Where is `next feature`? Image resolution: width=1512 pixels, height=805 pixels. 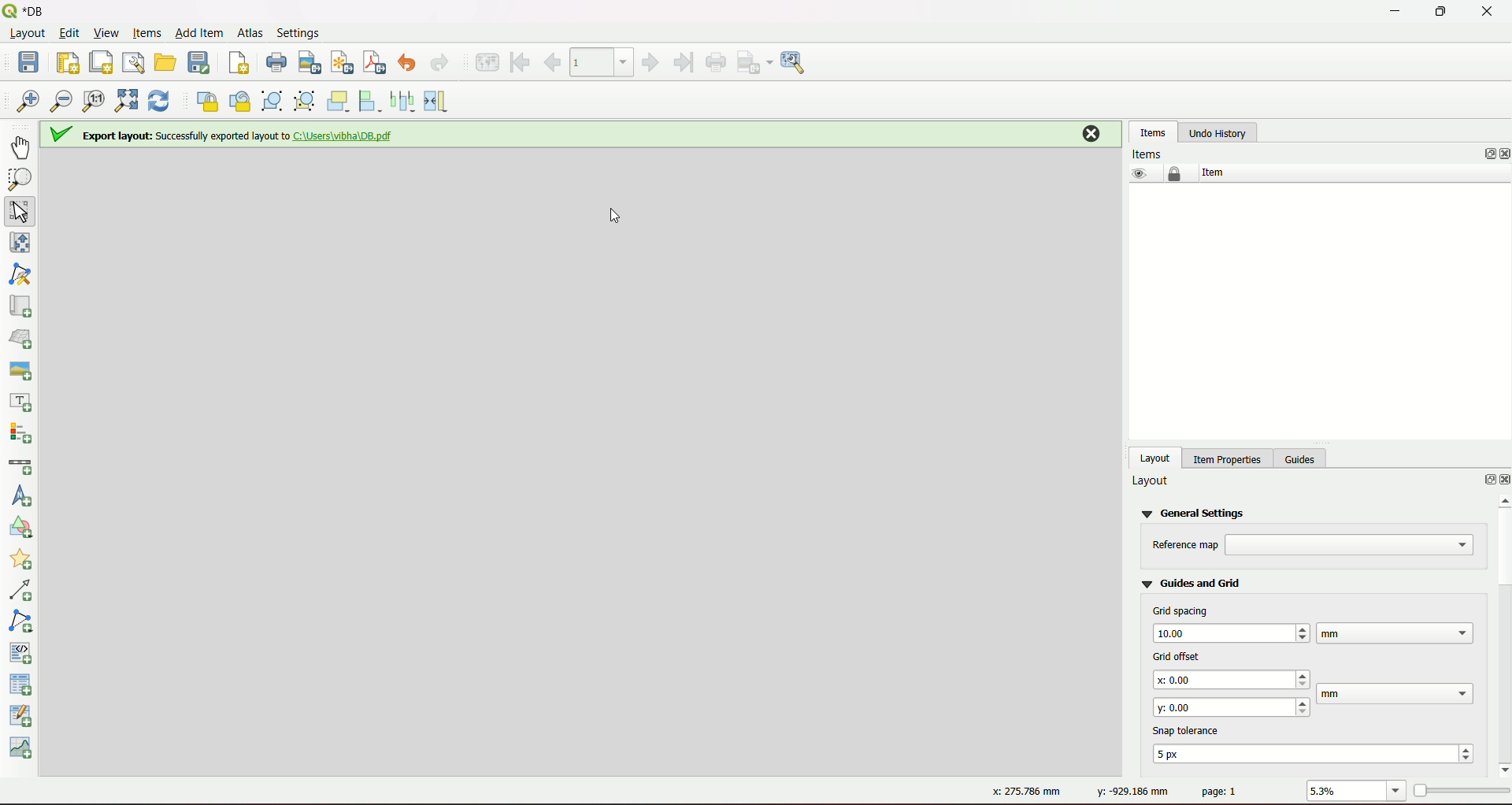 next feature is located at coordinates (651, 63).